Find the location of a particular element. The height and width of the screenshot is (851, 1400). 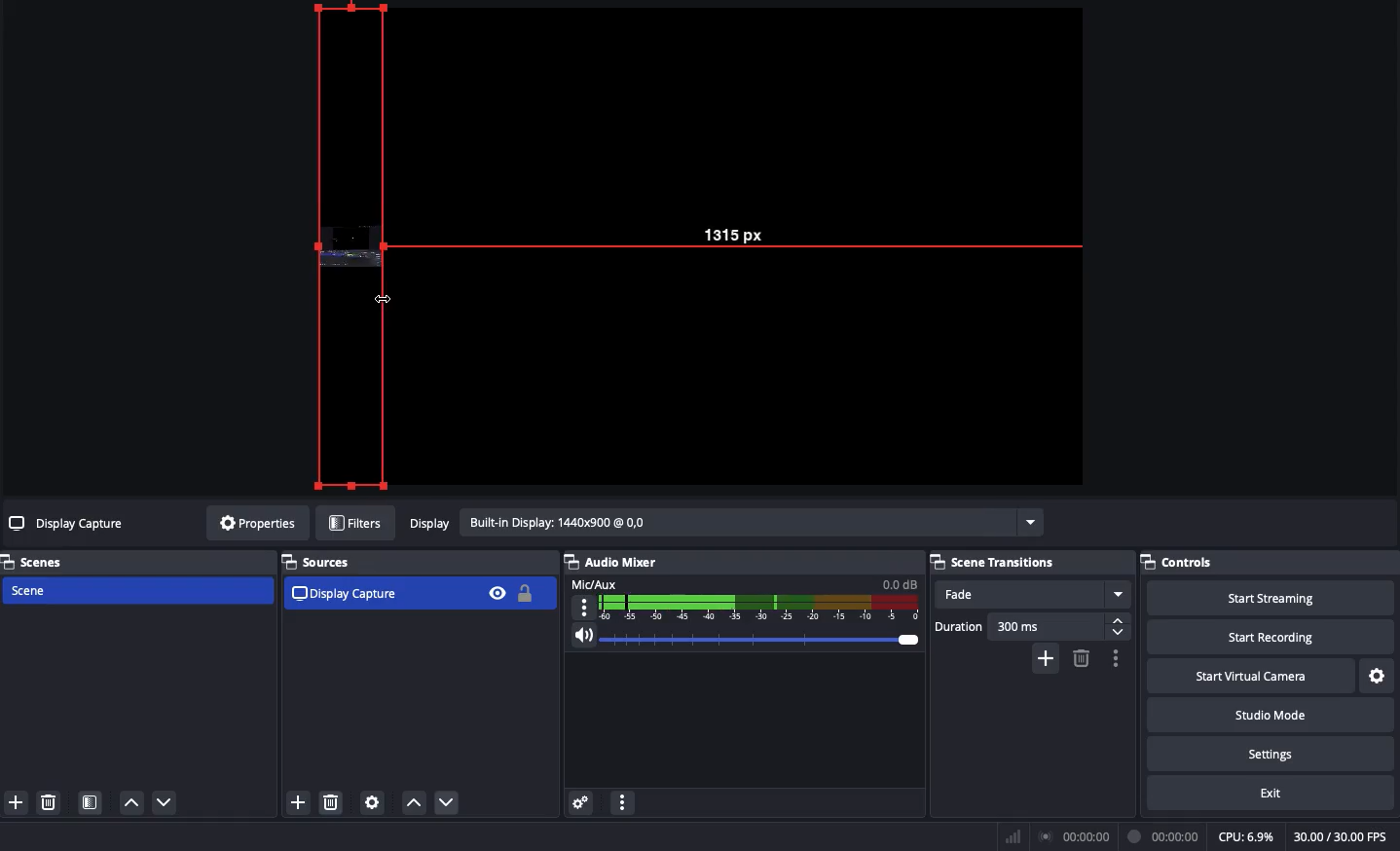

Scene is located at coordinates (135, 592).